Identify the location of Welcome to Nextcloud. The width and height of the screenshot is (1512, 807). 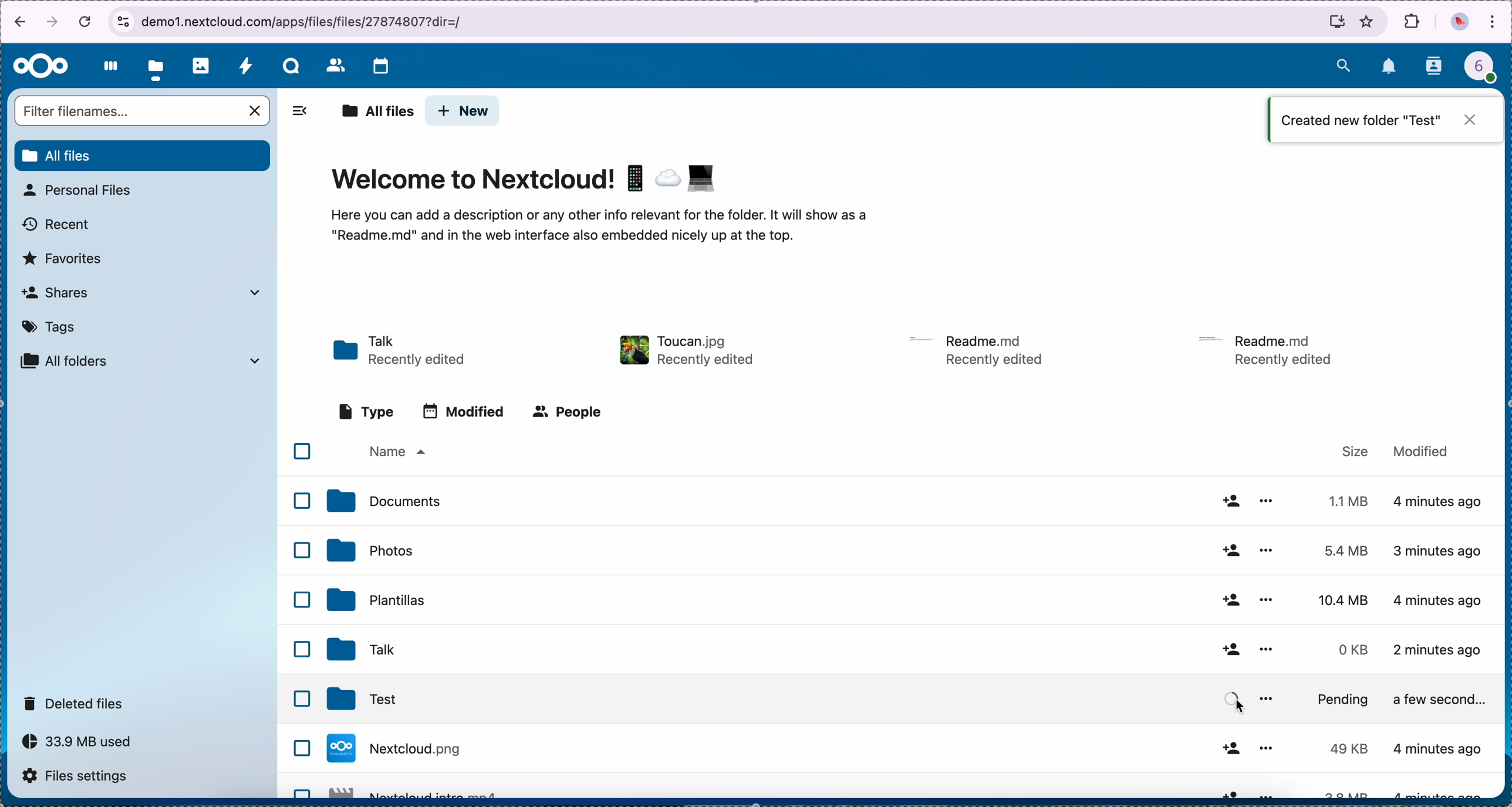
(526, 181).